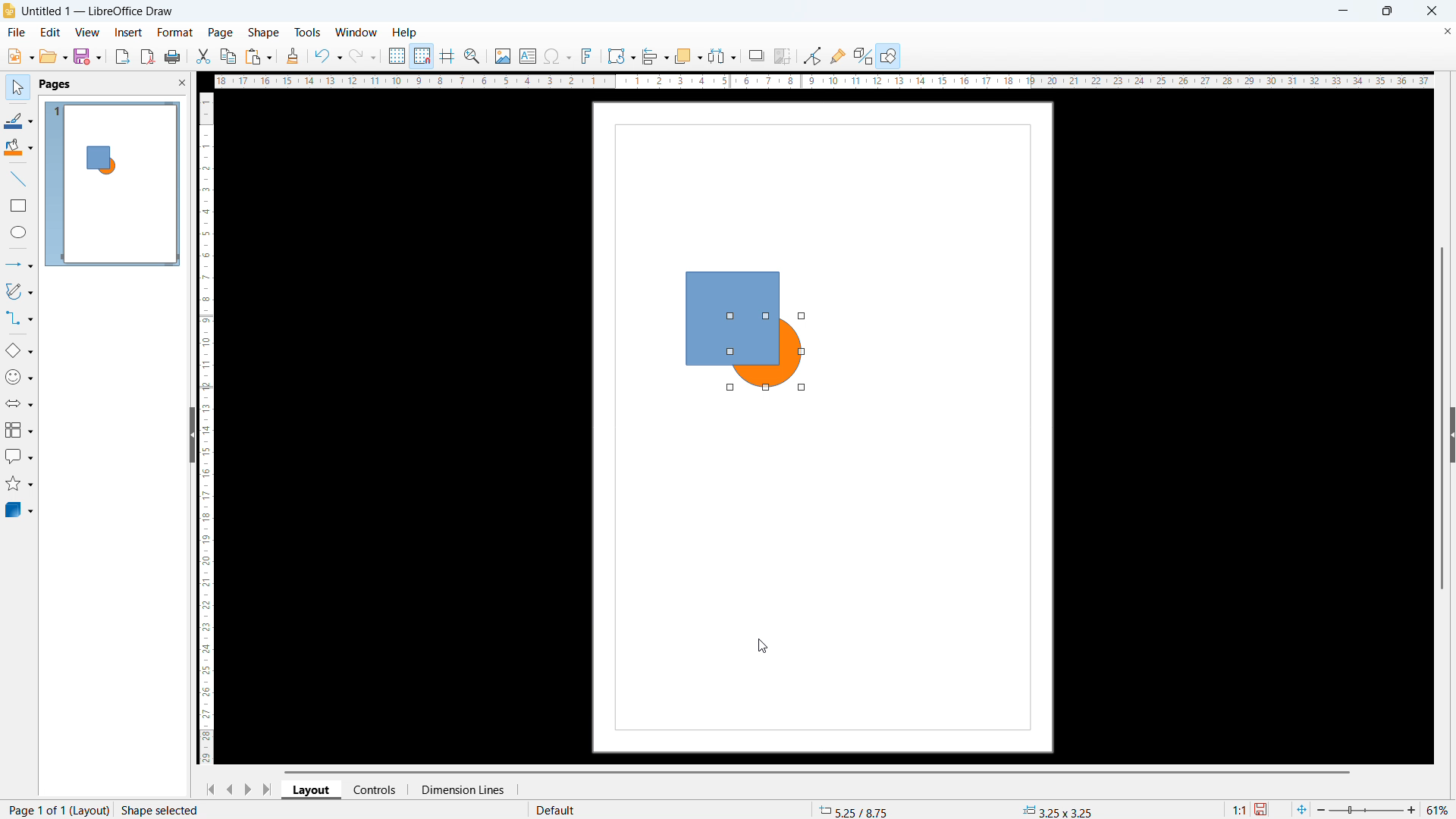  I want to click on file , so click(17, 33).